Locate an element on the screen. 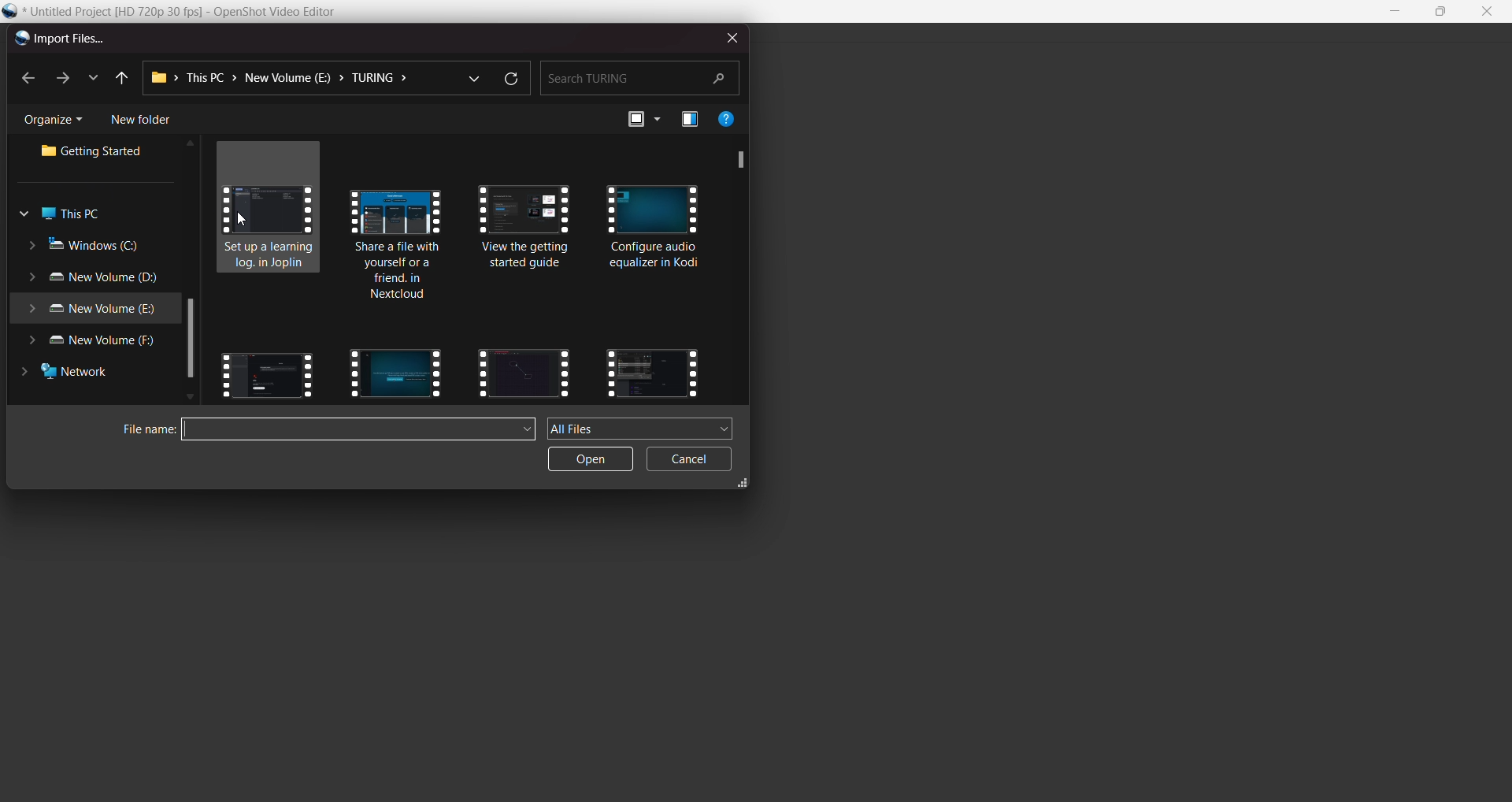 The height and width of the screenshot is (802, 1512). cancel is located at coordinates (691, 460).